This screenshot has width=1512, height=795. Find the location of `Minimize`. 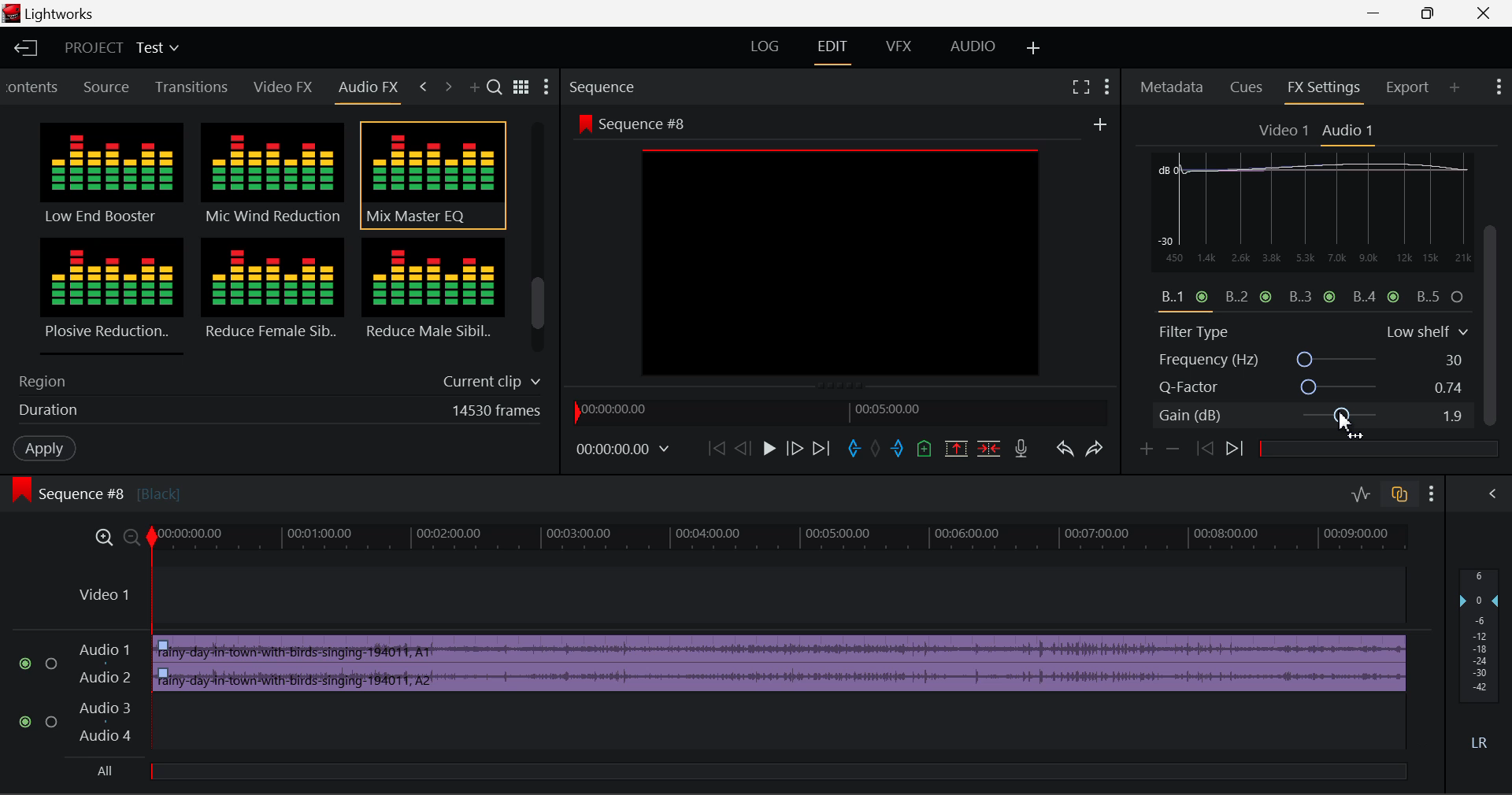

Minimize is located at coordinates (1435, 13).